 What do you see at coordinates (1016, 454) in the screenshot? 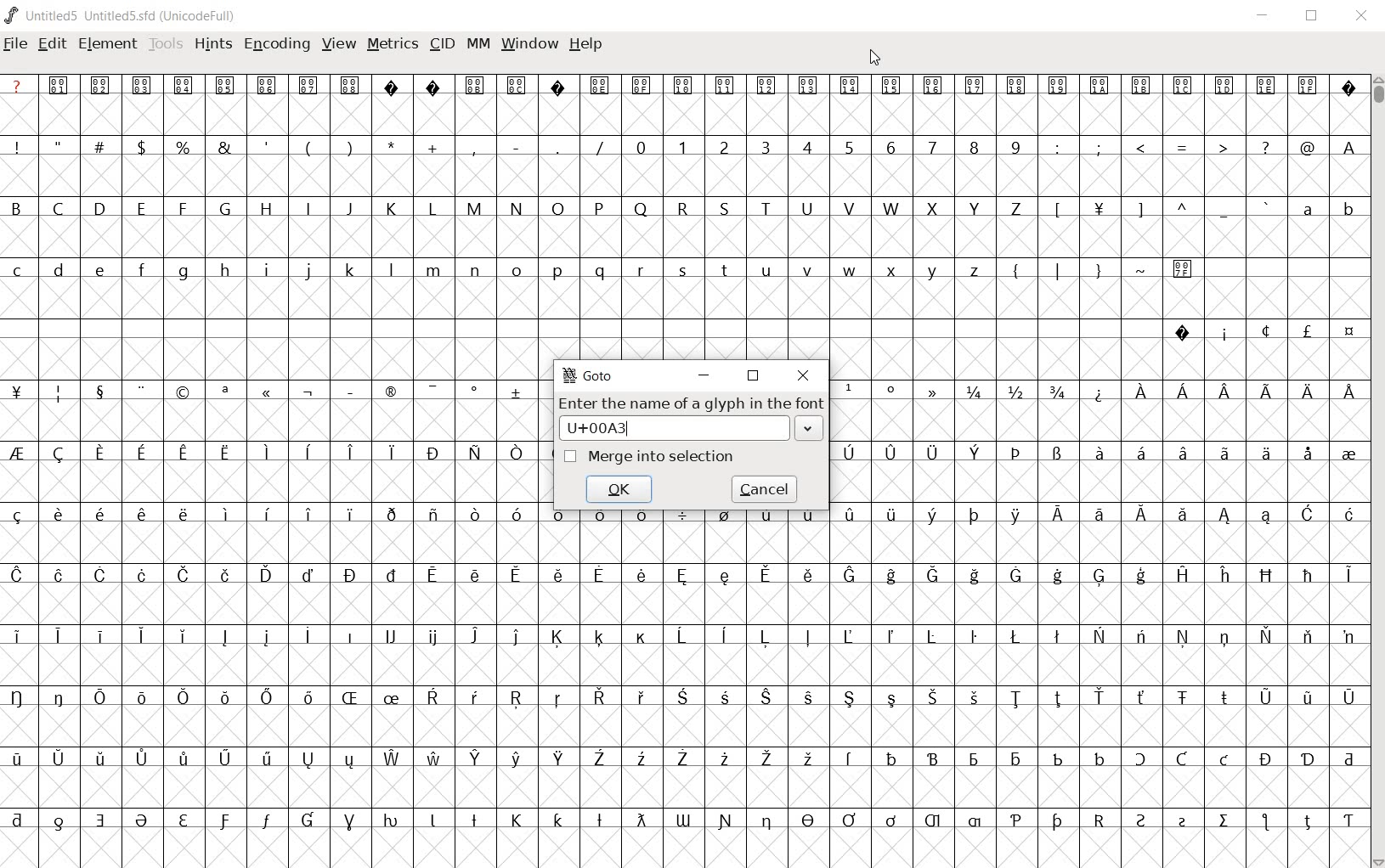
I see `Symbol` at bounding box center [1016, 454].